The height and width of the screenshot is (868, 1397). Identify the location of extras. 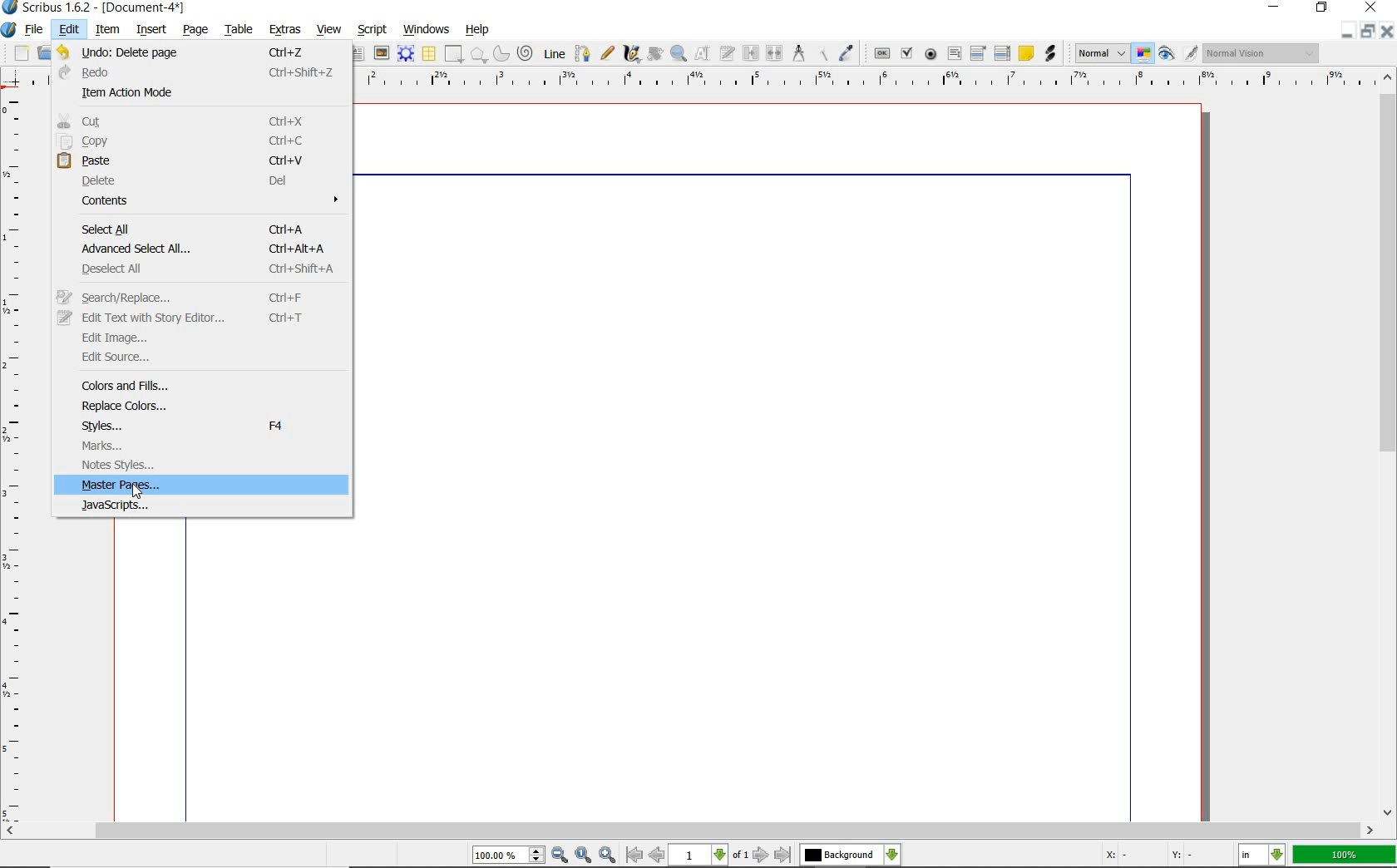
(286, 30).